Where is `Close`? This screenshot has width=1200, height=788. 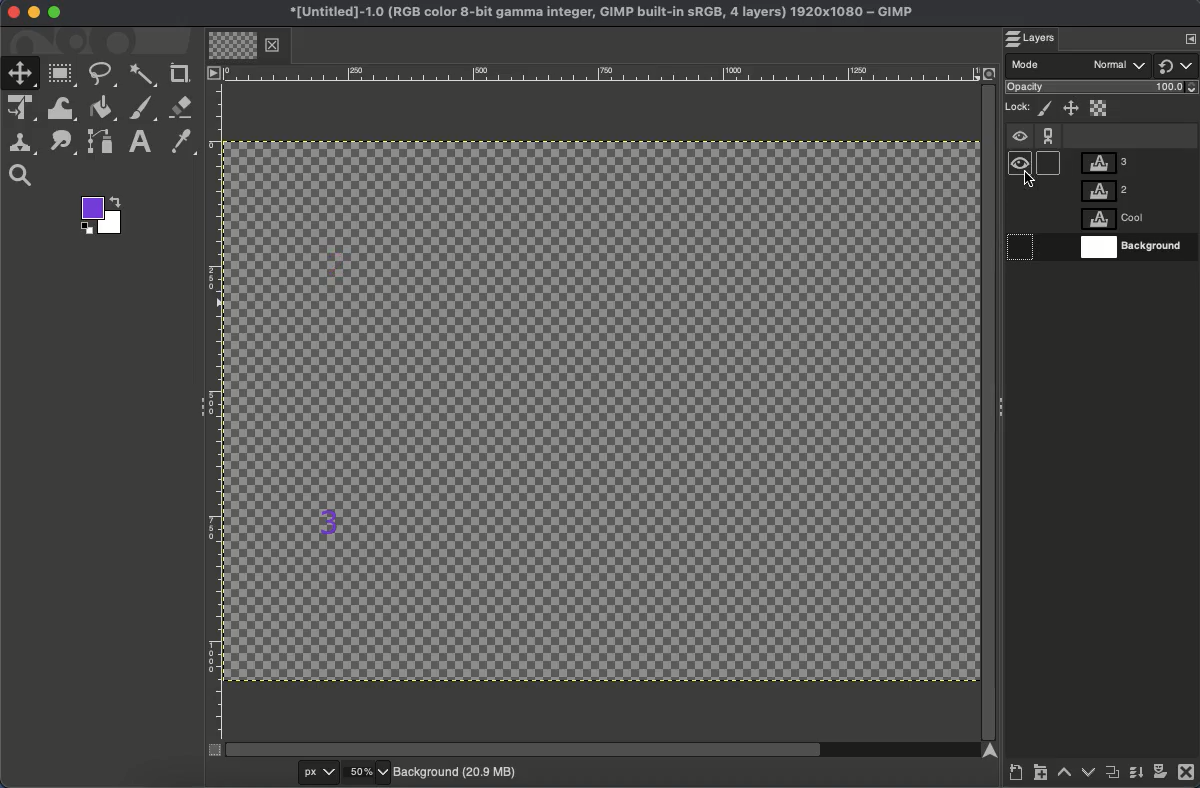
Close is located at coordinates (1186, 775).